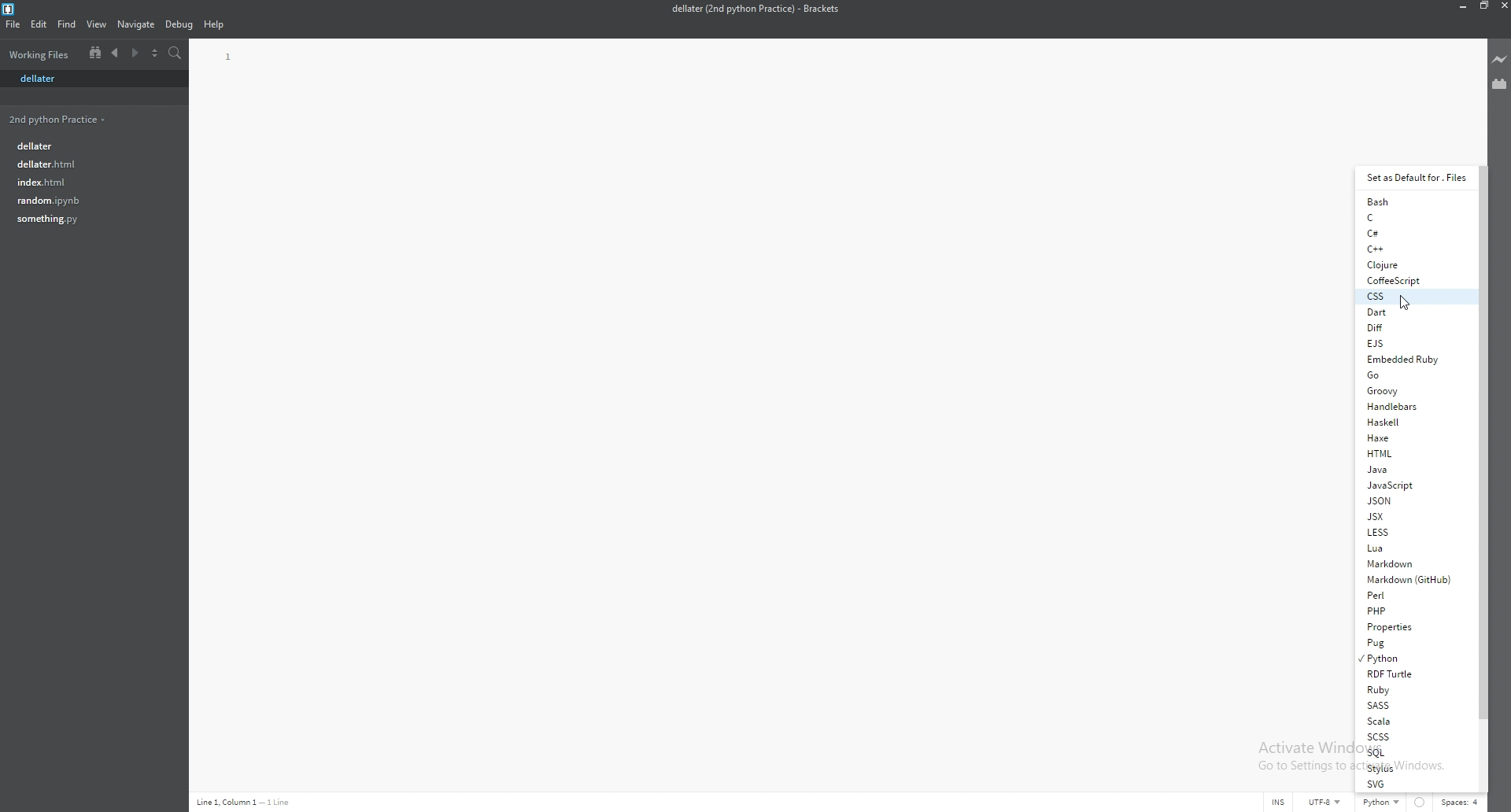 The image size is (1511, 812). Describe the element at coordinates (1413, 232) in the screenshot. I see `c#` at that location.